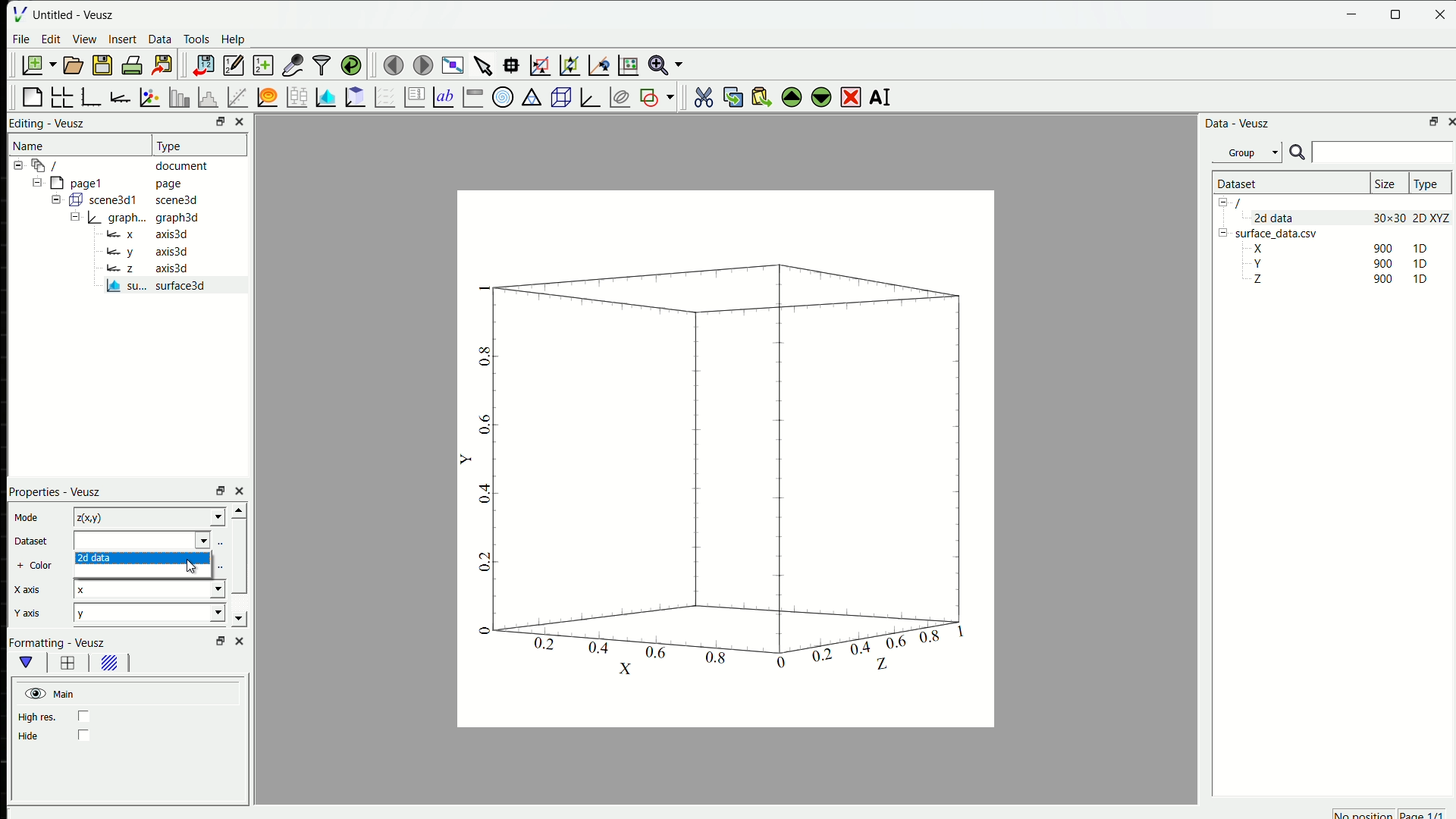  Describe the element at coordinates (726, 475) in the screenshot. I see `graph` at that location.